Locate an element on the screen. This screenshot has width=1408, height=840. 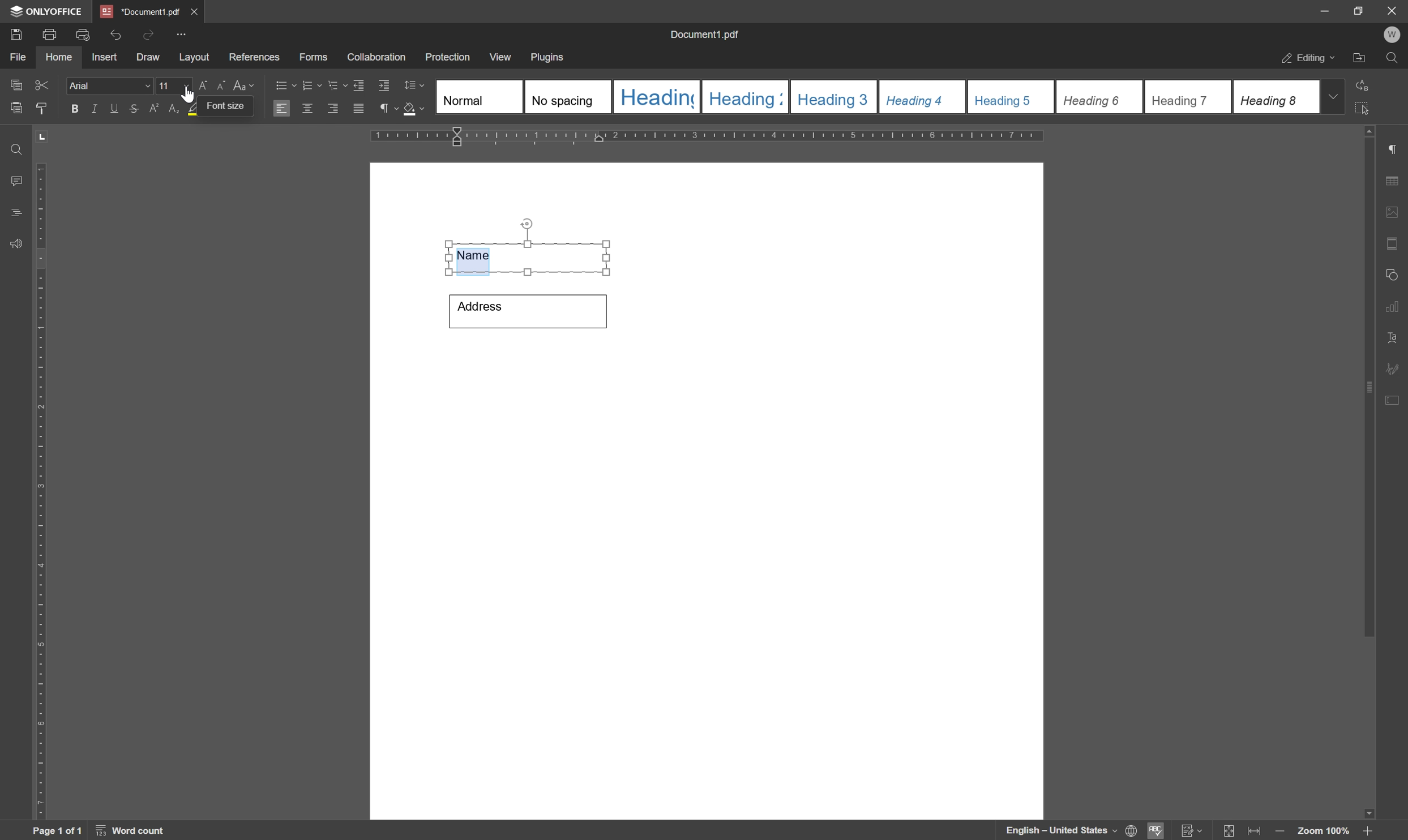
print is located at coordinates (49, 35).